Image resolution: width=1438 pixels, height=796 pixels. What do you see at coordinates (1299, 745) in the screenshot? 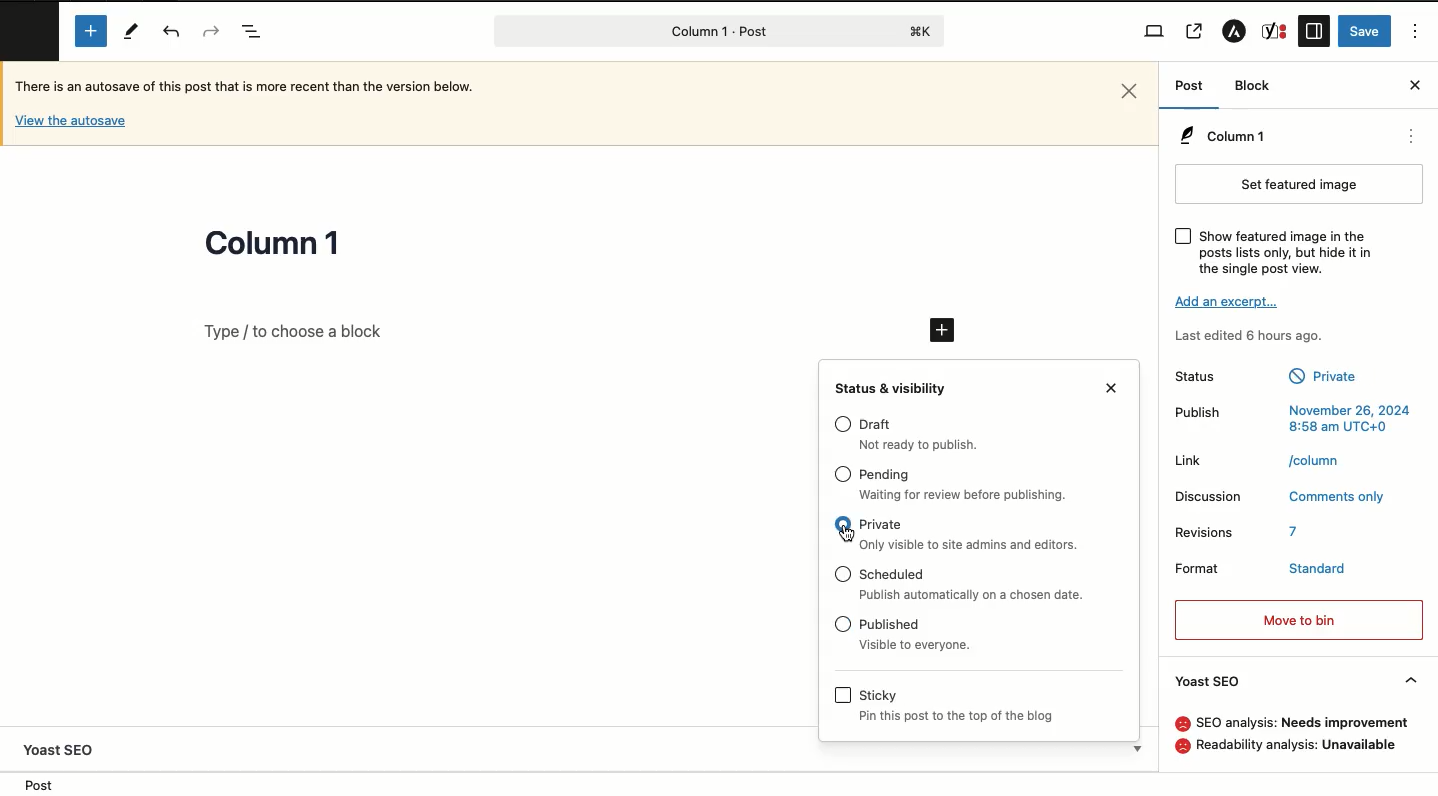
I see `Analysis` at bounding box center [1299, 745].